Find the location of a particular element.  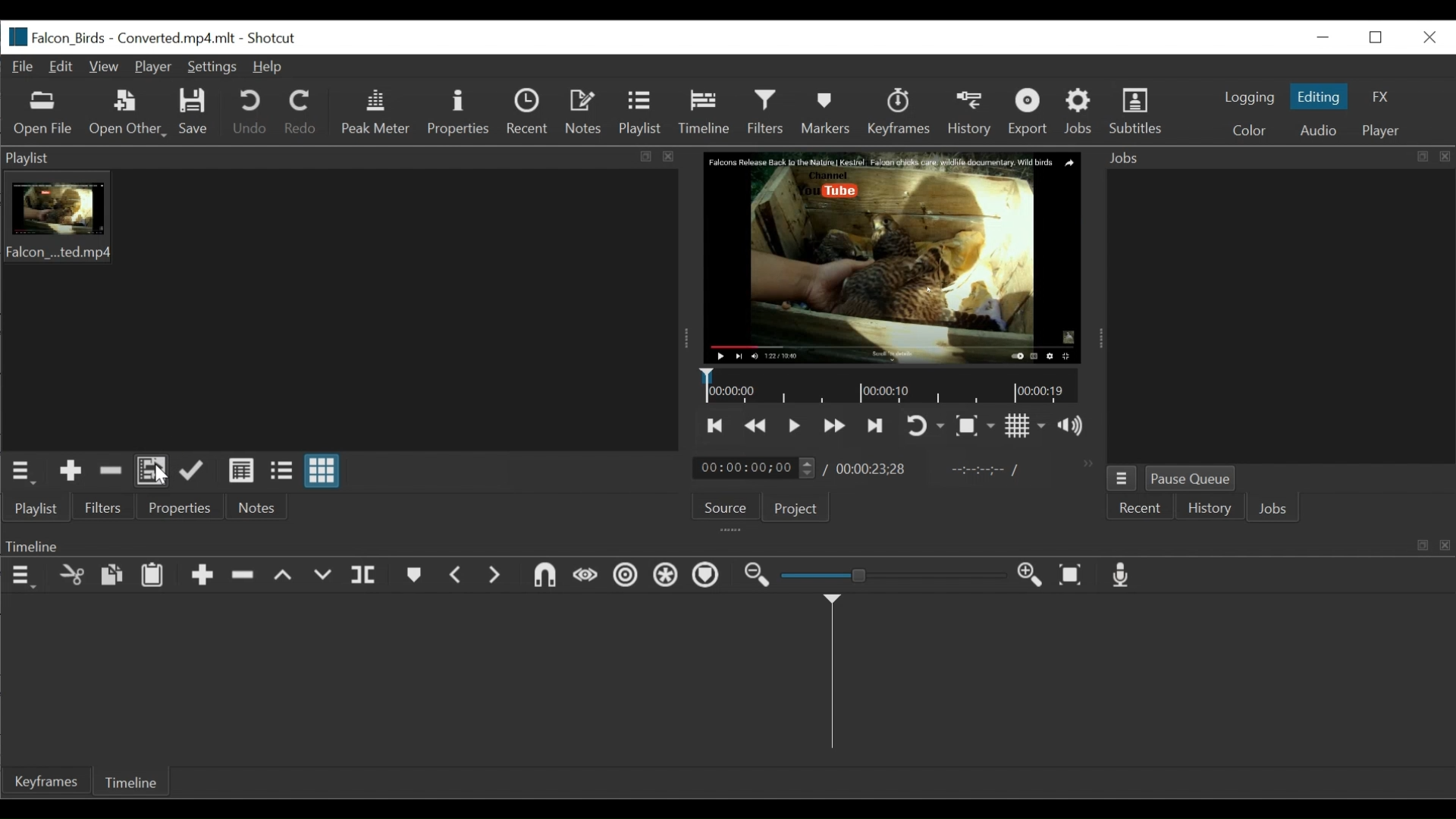

Timeline is located at coordinates (704, 112).